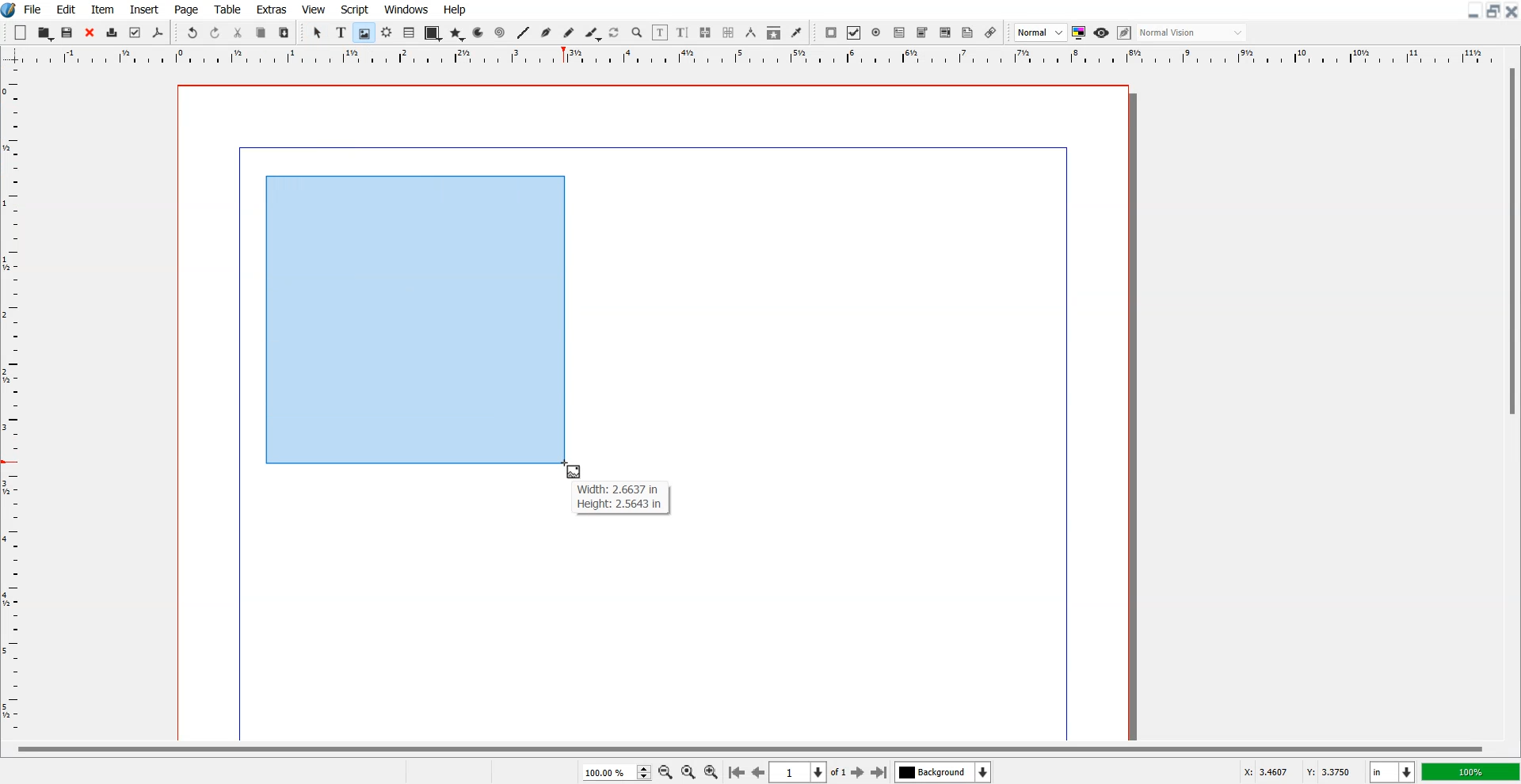 The image size is (1521, 784). What do you see at coordinates (10, 10) in the screenshot?
I see `Logo` at bounding box center [10, 10].